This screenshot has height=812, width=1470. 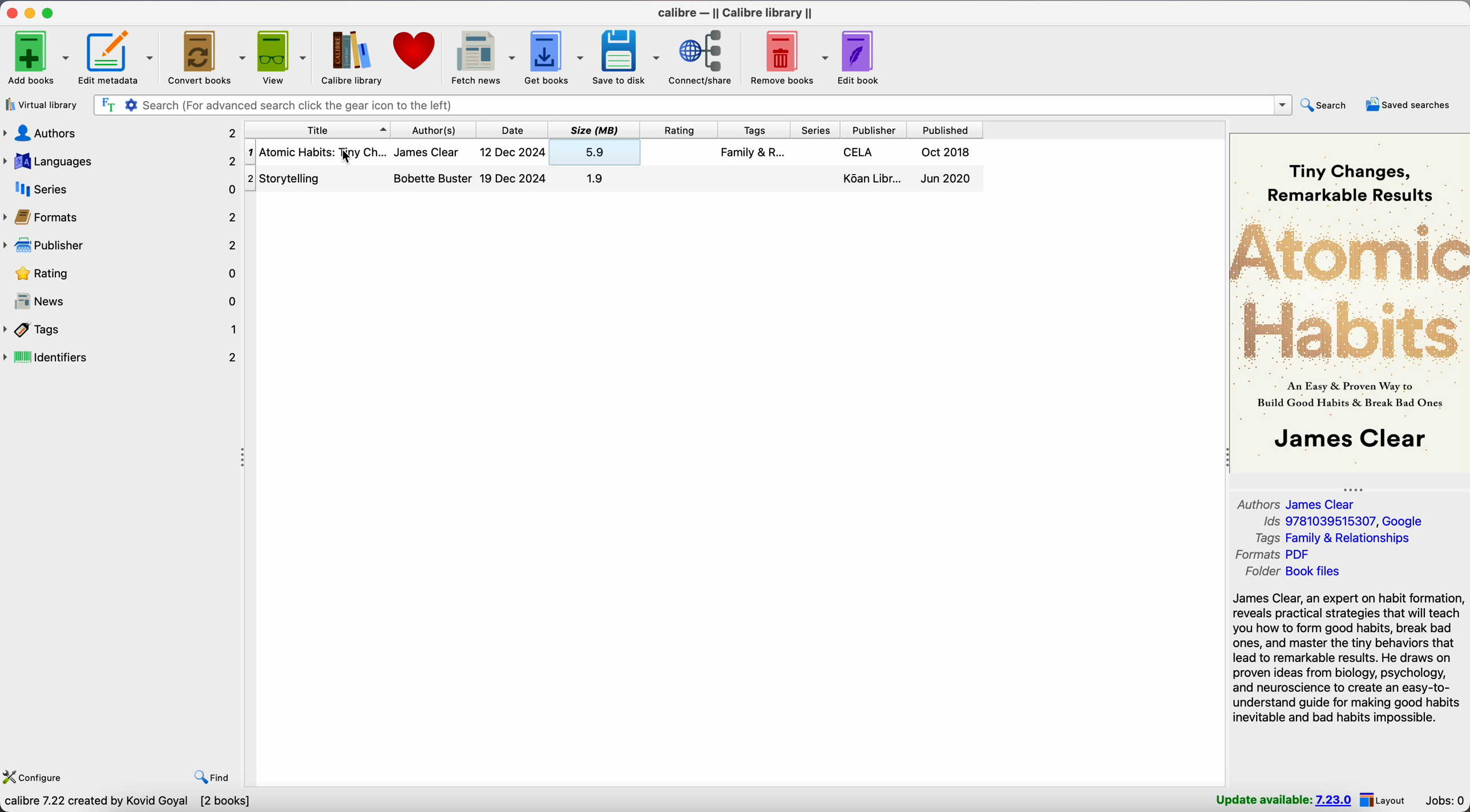 I want to click on search bar, so click(x=693, y=106).